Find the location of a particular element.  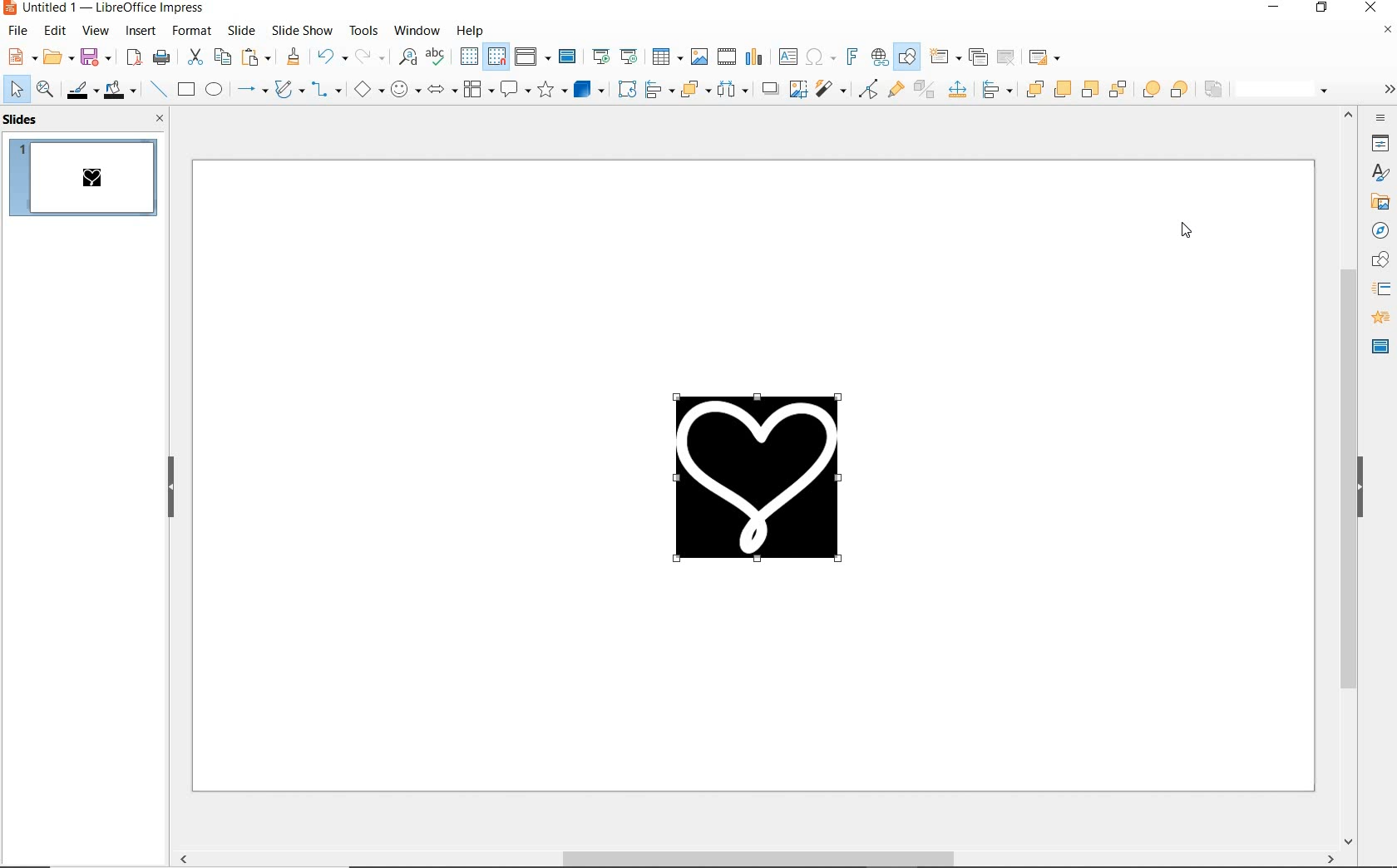

SLIDES is located at coordinates (23, 120).